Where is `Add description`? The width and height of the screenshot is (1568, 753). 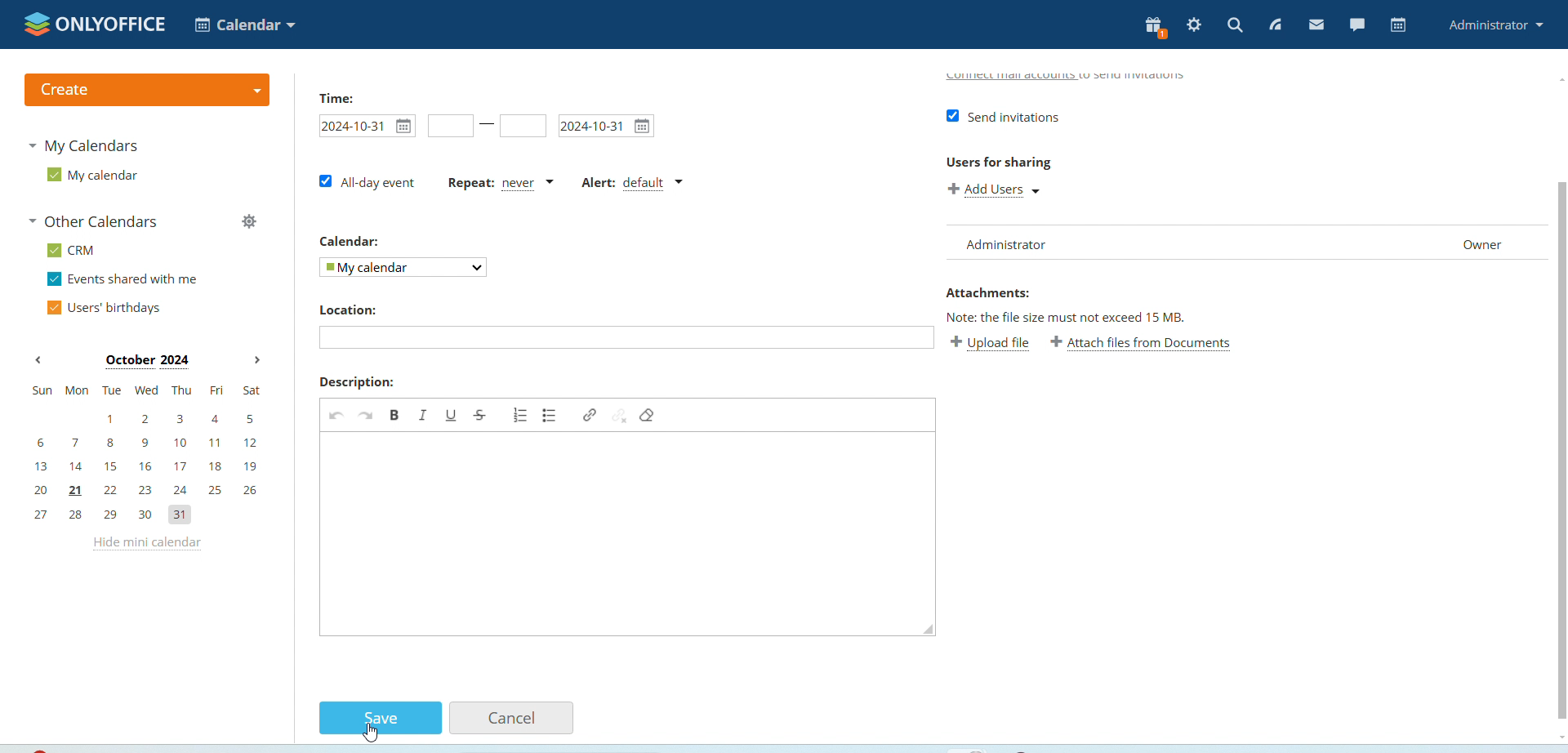
Add description is located at coordinates (629, 534).